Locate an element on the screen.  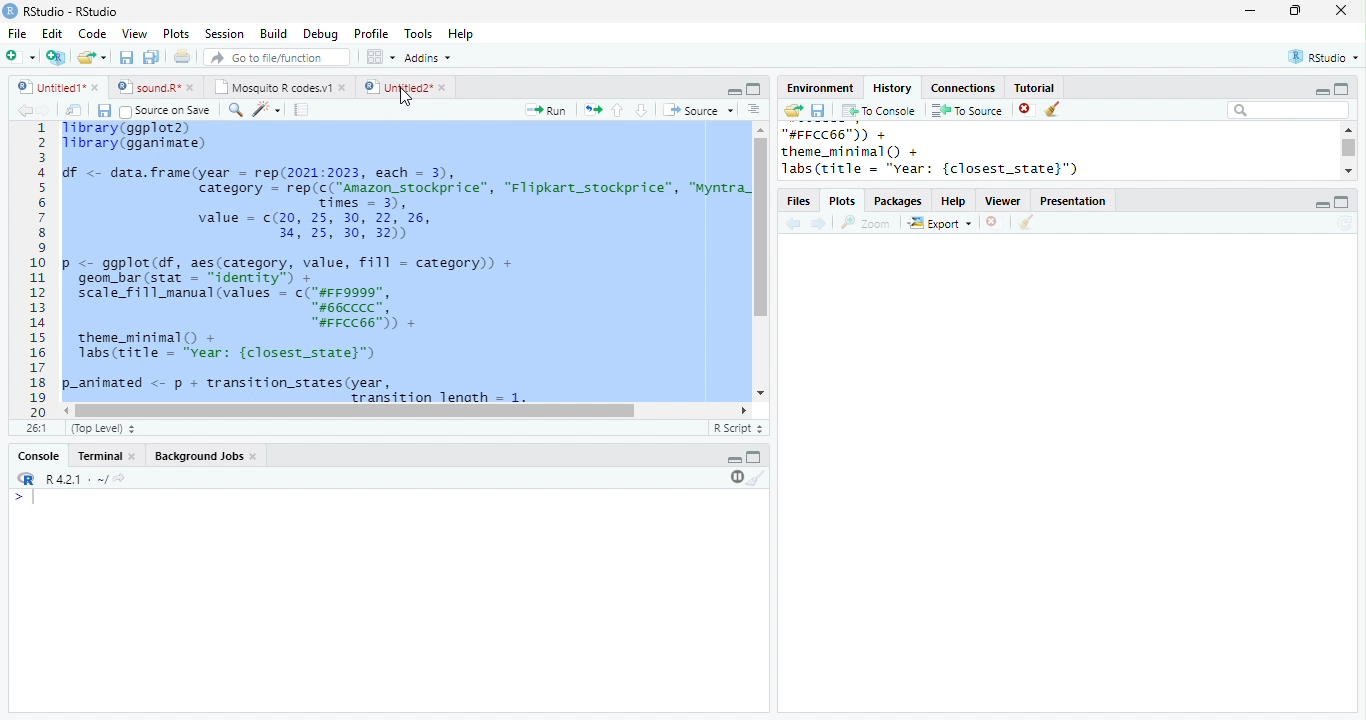
Untitled2 is located at coordinates (396, 87).